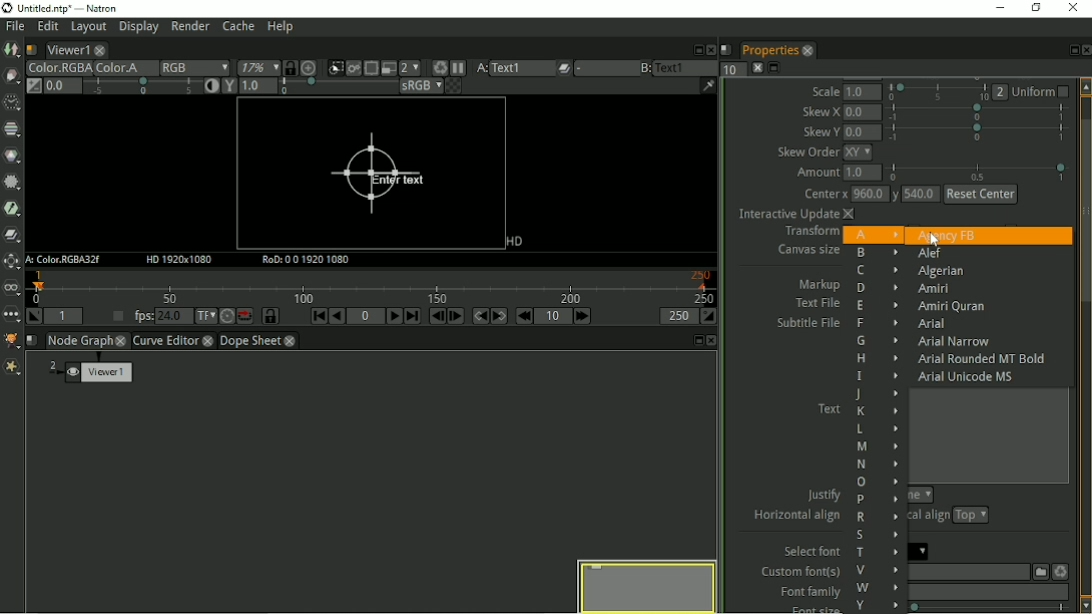 The image size is (1092, 614). Describe the element at coordinates (921, 196) in the screenshot. I see `540` at that location.